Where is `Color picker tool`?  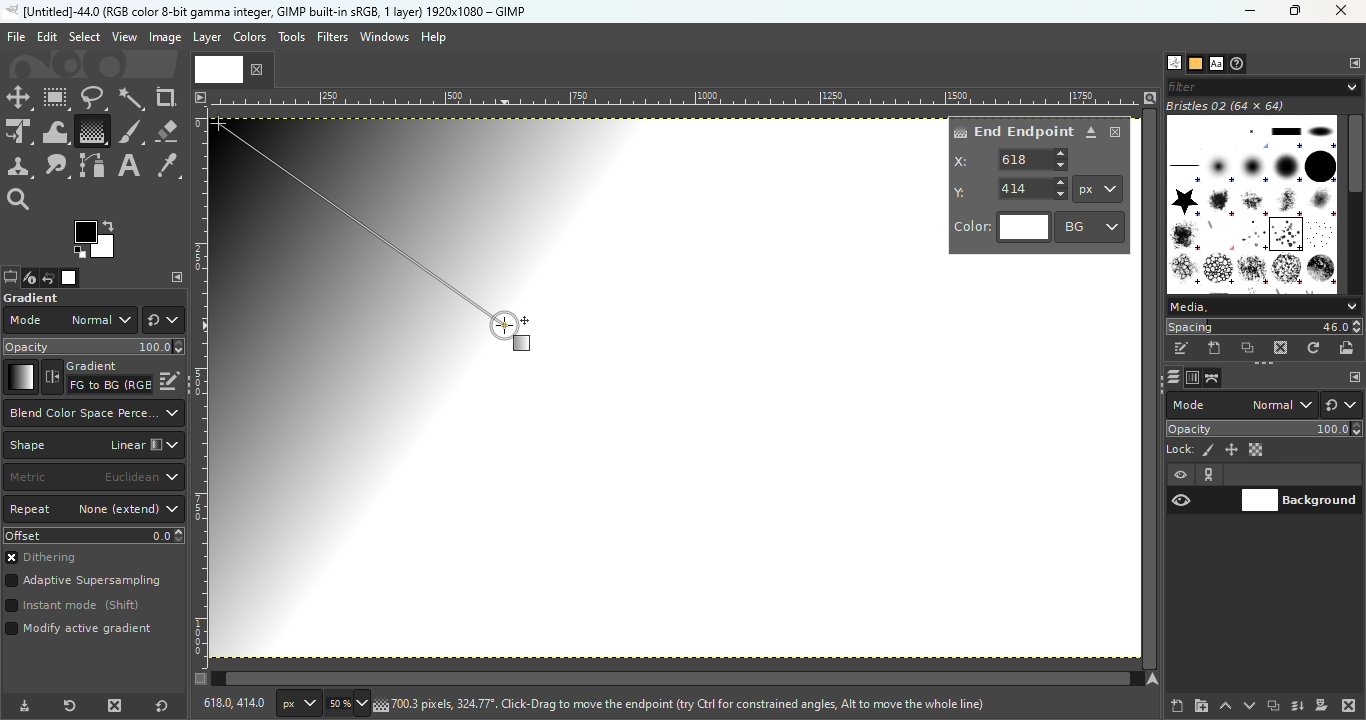 Color picker tool is located at coordinates (168, 167).